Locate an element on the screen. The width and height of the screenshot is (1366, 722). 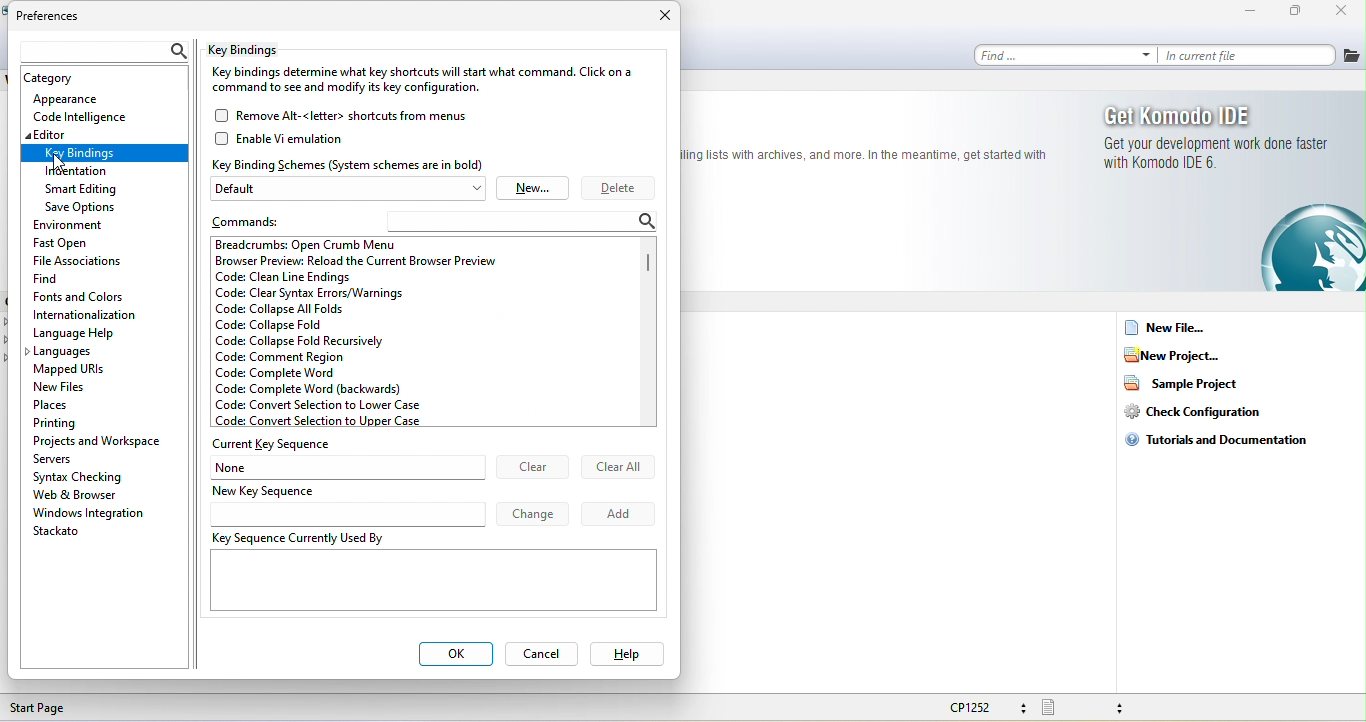
sample project is located at coordinates (1191, 382).